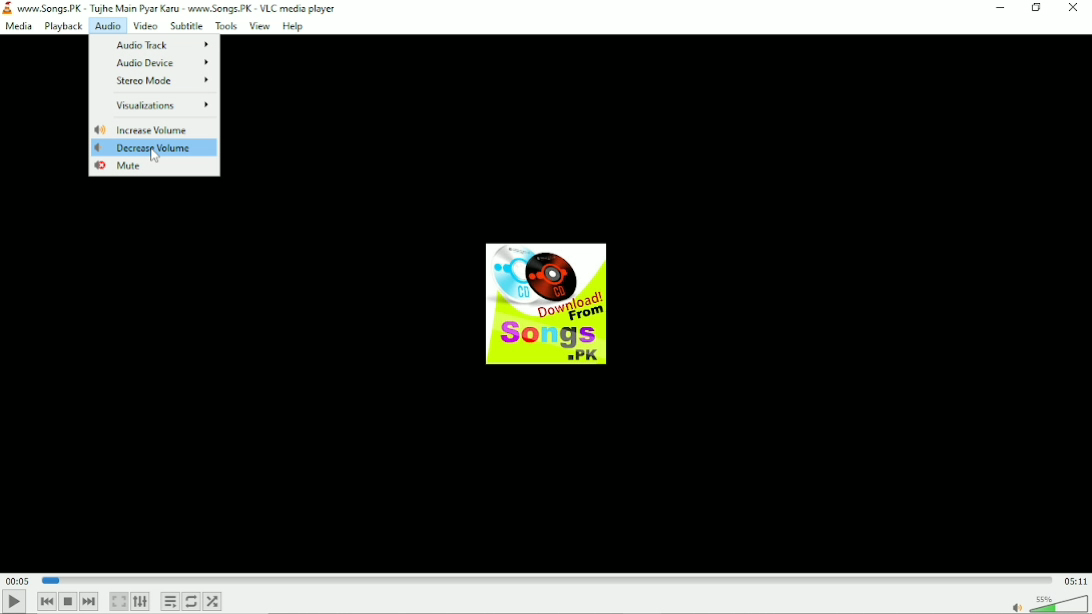 The height and width of the screenshot is (614, 1092). I want to click on www.songs PK - Tuhe Man Pyar Karu - www. Songs FE - VLC med player, so click(184, 8).